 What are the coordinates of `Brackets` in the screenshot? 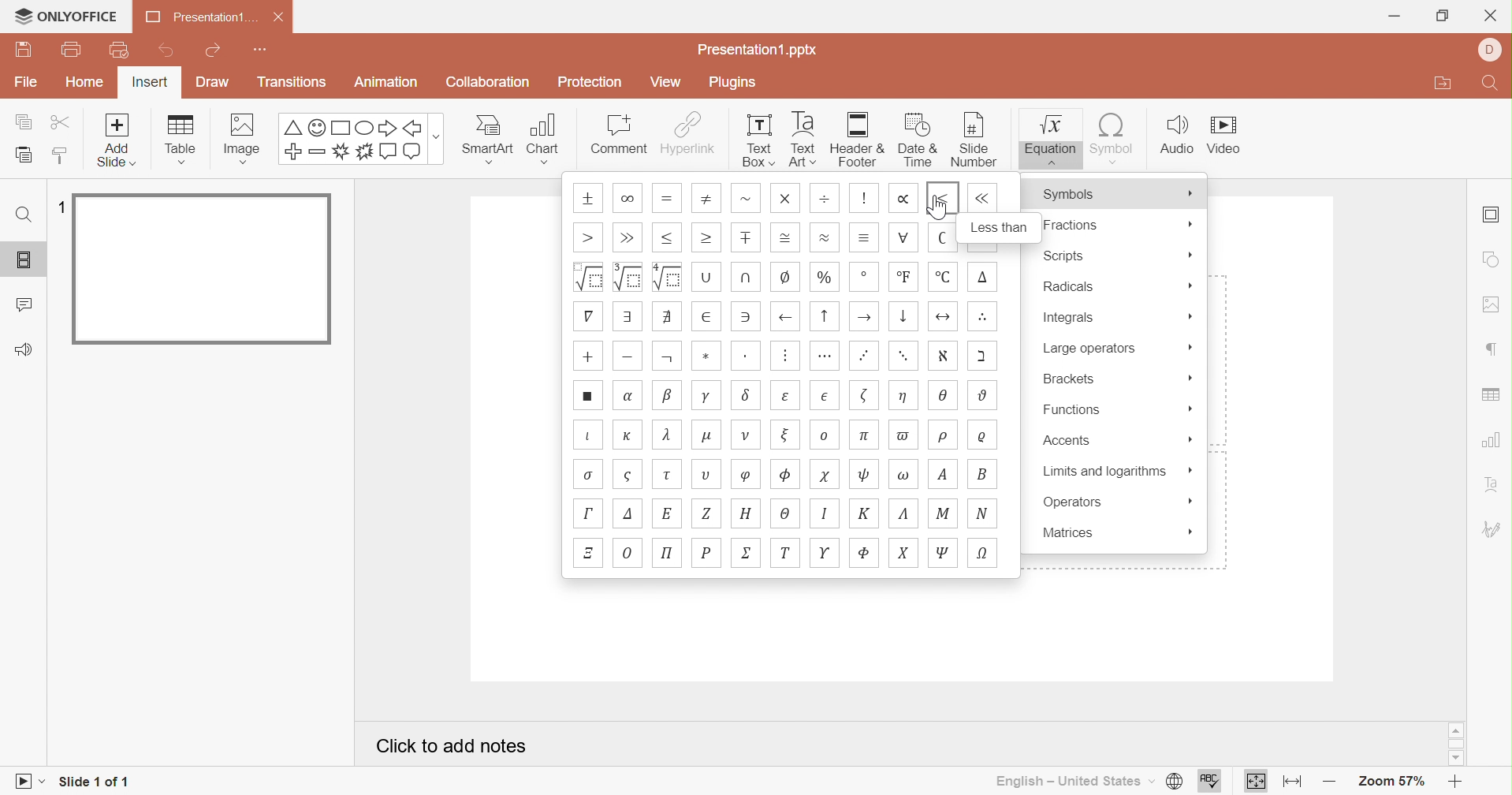 It's located at (1115, 376).